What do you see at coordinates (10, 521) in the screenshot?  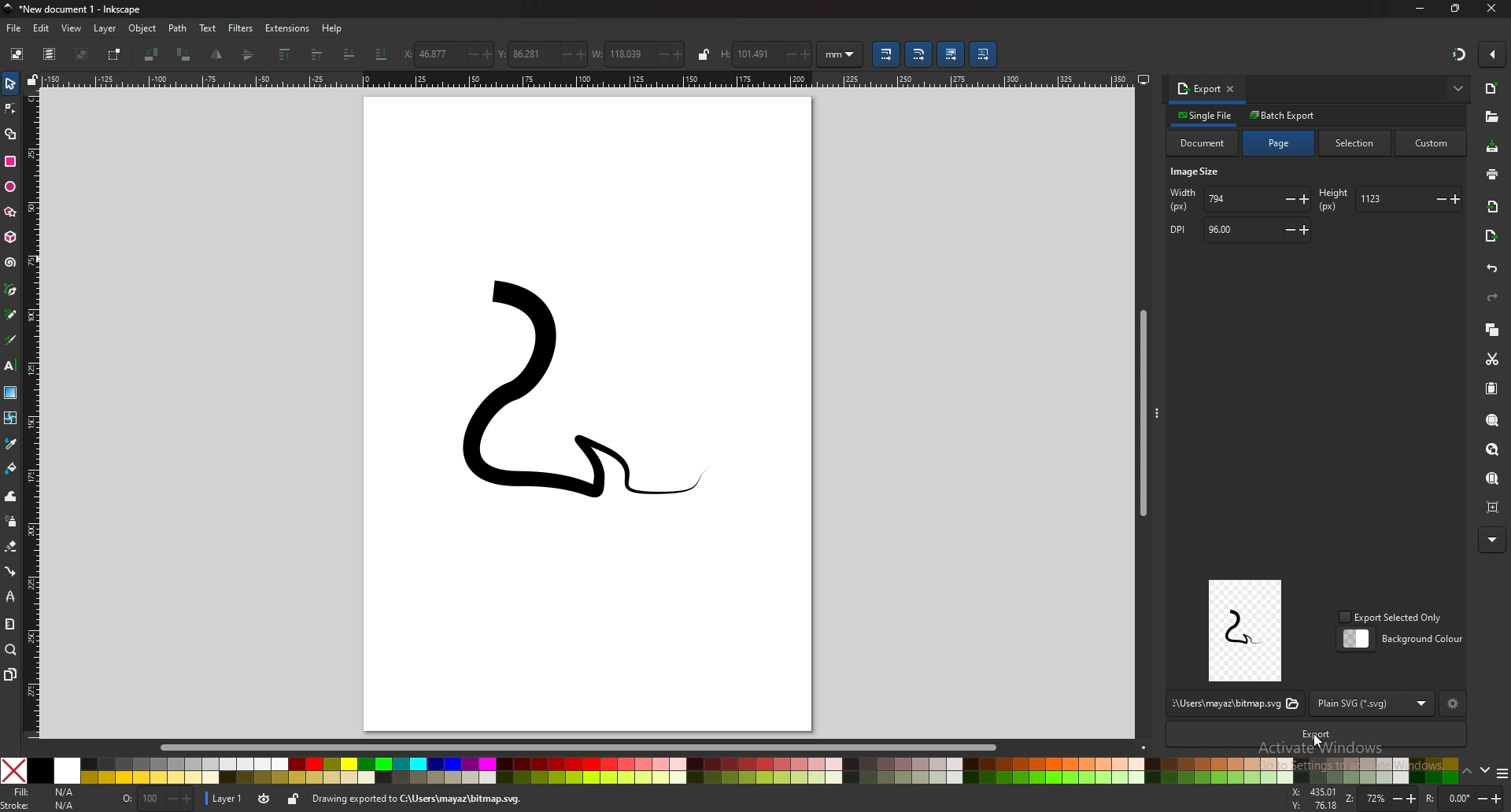 I see `spray` at bounding box center [10, 521].